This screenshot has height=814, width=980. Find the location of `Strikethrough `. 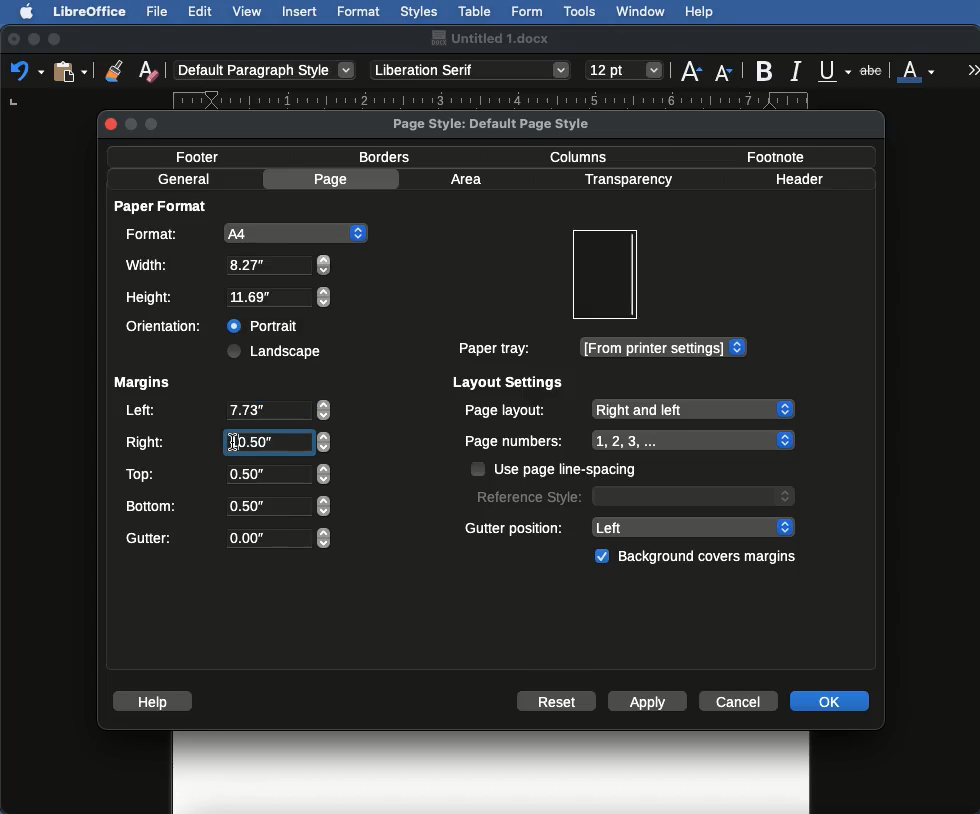

Strikethrough  is located at coordinates (873, 69).